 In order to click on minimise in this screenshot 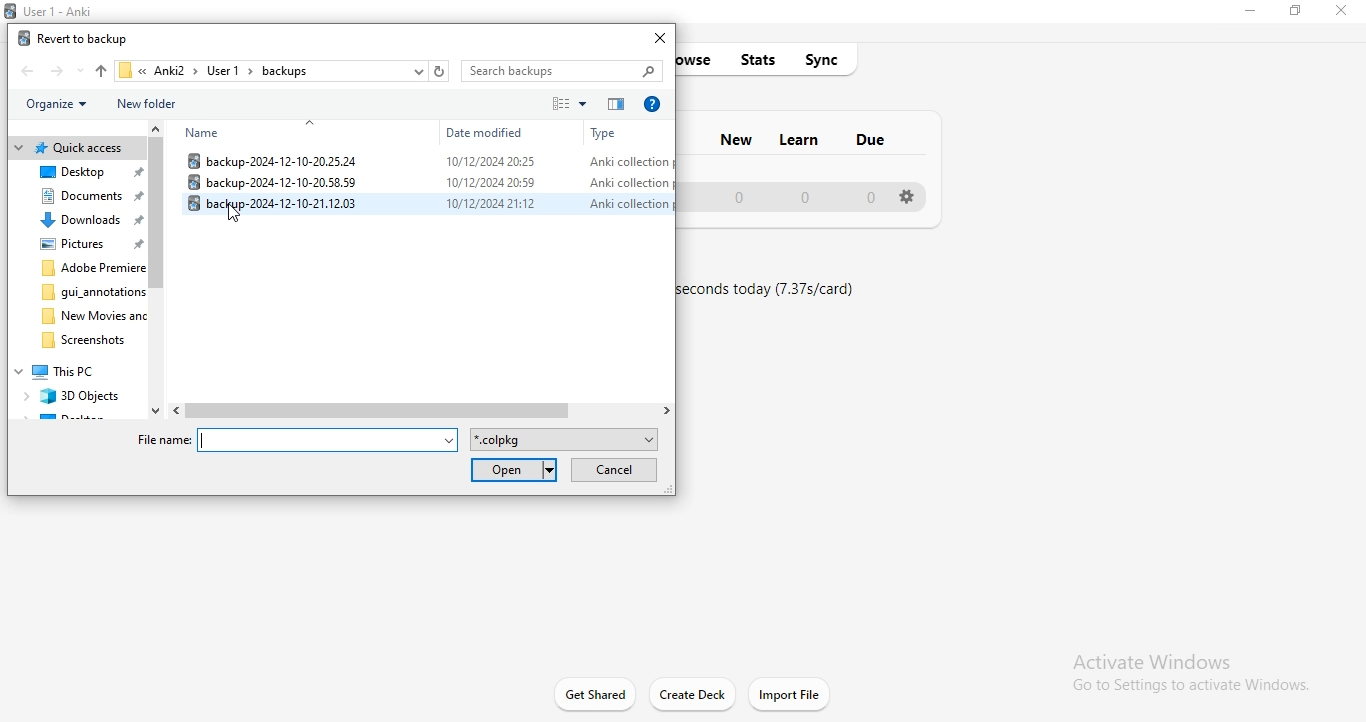, I will do `click(1248, 13)`.